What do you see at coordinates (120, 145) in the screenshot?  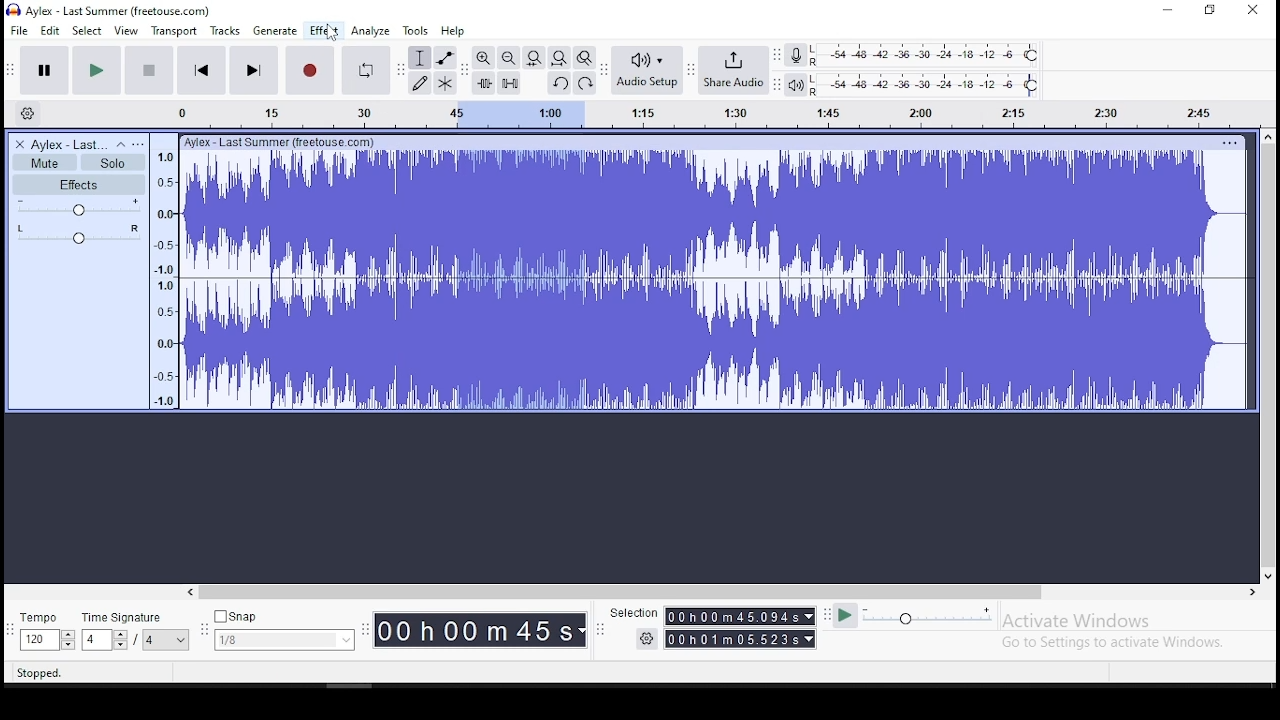 I see `collapse` at bounding box center [120, 145].